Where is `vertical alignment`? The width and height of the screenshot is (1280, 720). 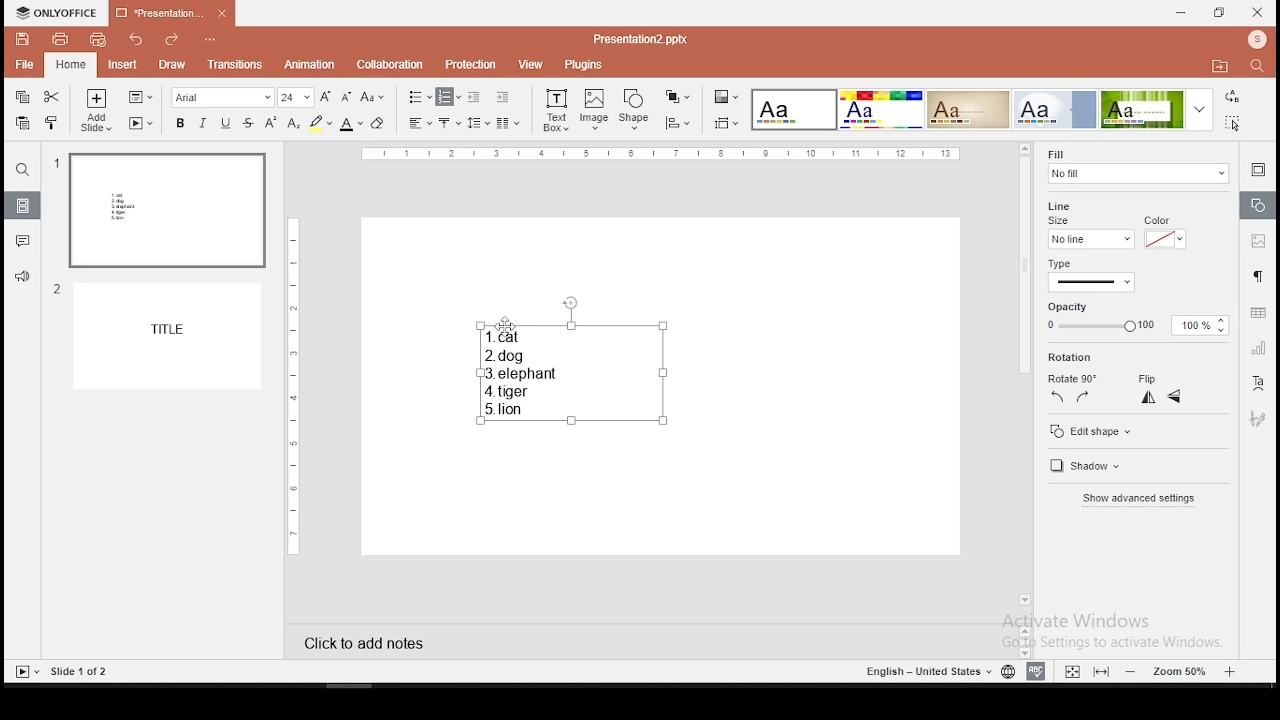 vertical alignment is located at coordinates (451, 122).